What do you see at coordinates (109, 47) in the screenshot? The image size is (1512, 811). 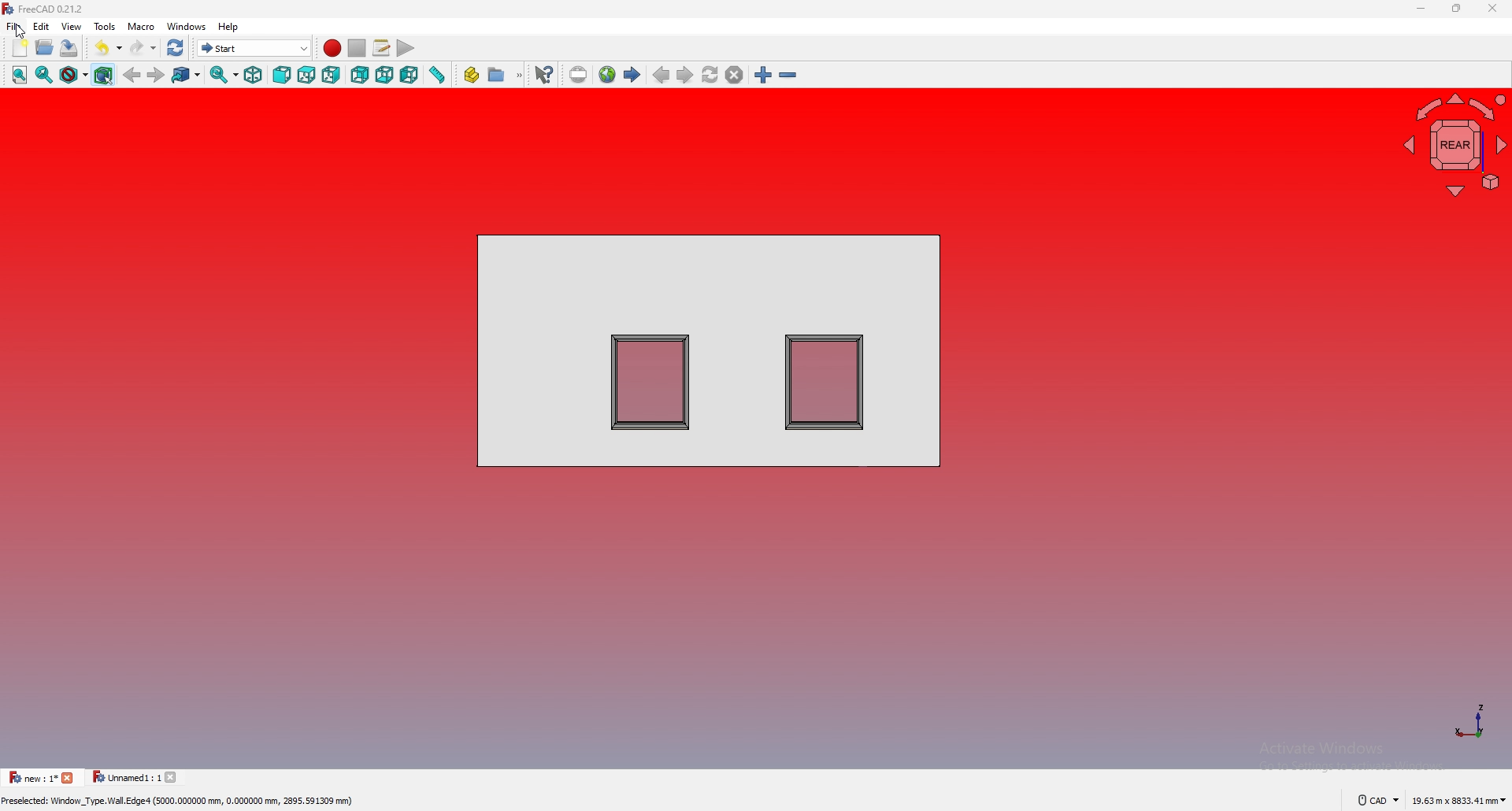 I see `undo` at bounding box center [109, 47].